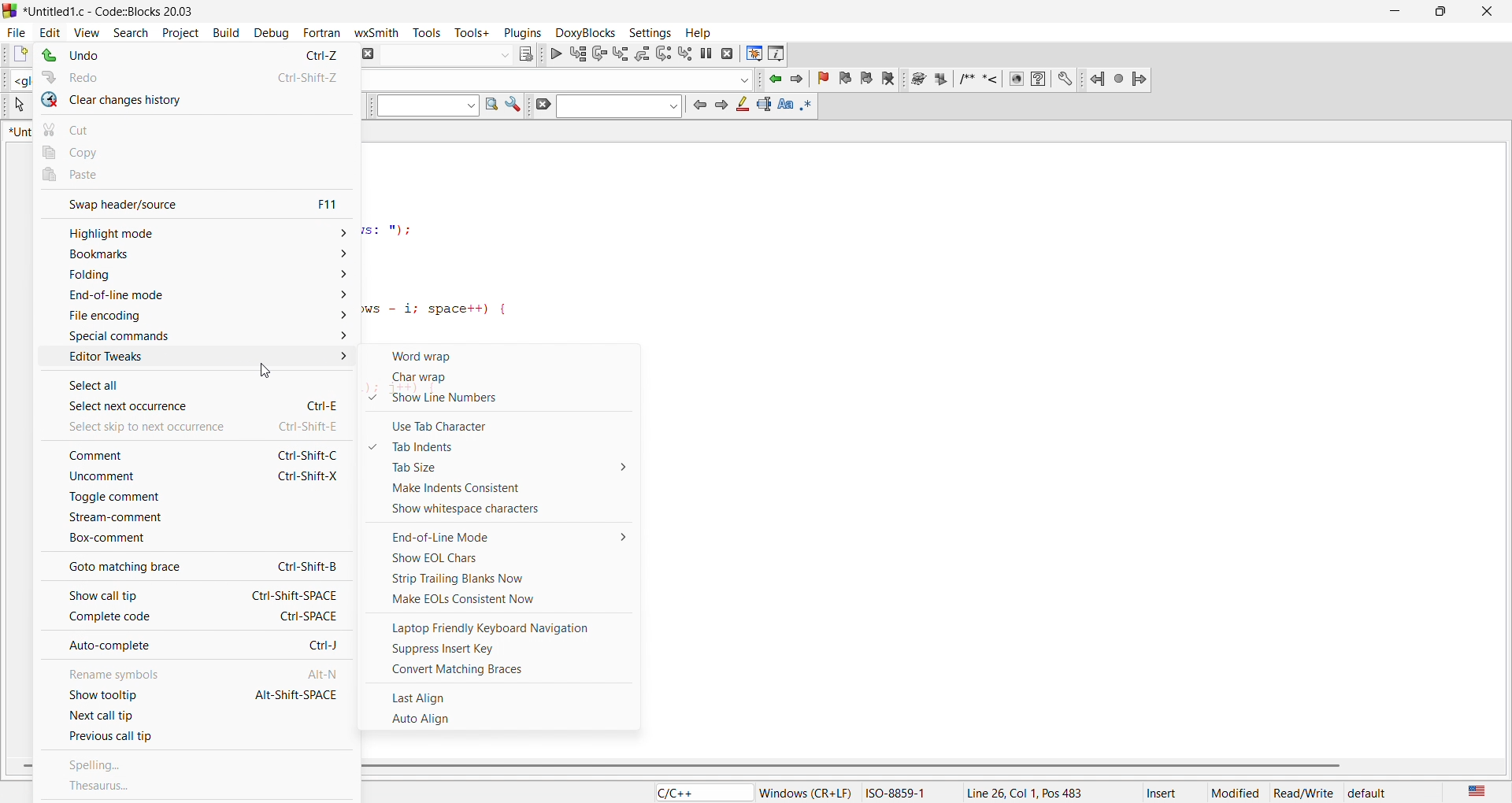 Image resolution: width=1512 pixels, height=803 pixels. I want to click on icon, so click(528, 53).